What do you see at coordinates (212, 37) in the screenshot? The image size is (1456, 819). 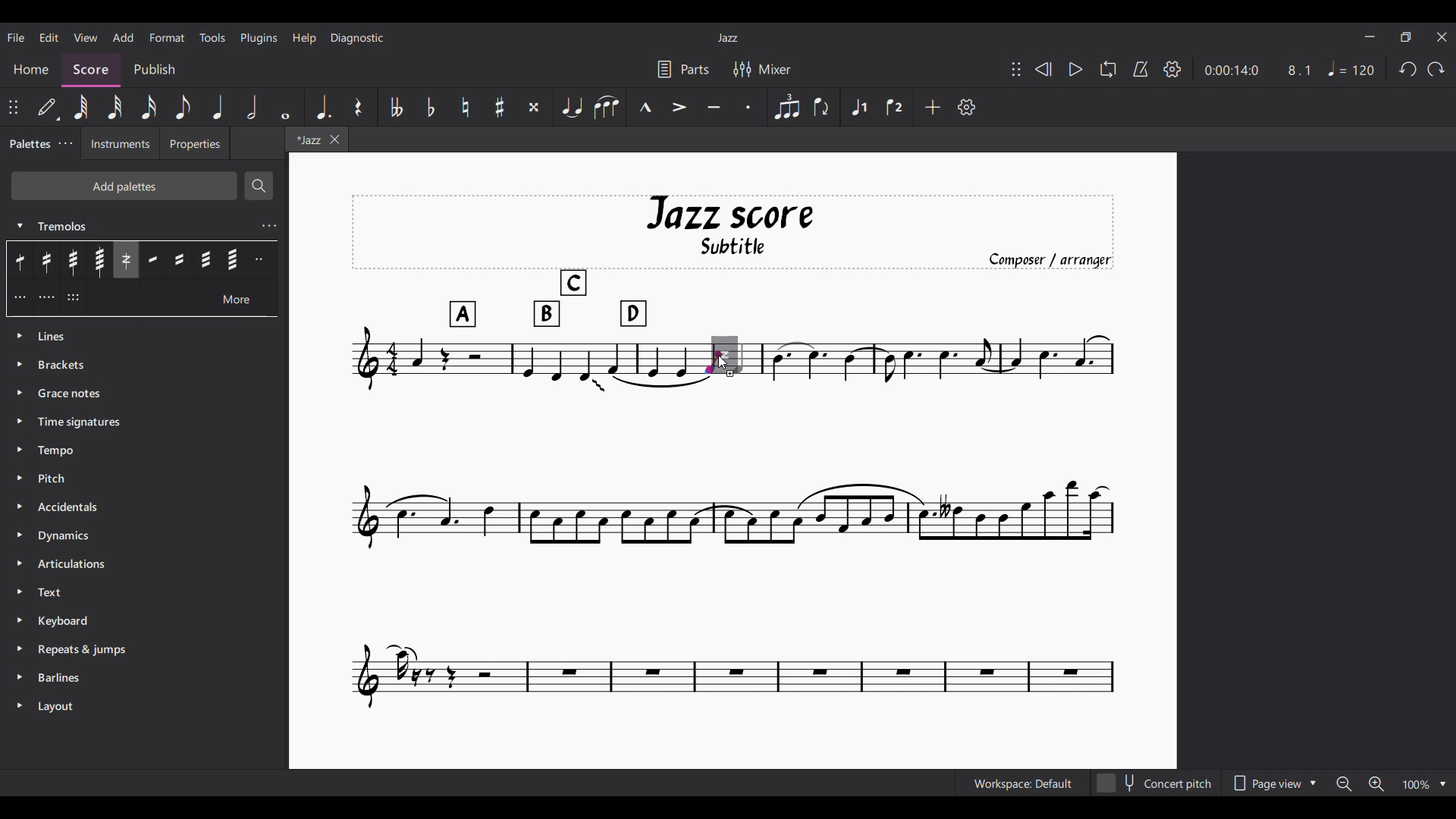 I see `Tools` at bounding box center [212, 37].